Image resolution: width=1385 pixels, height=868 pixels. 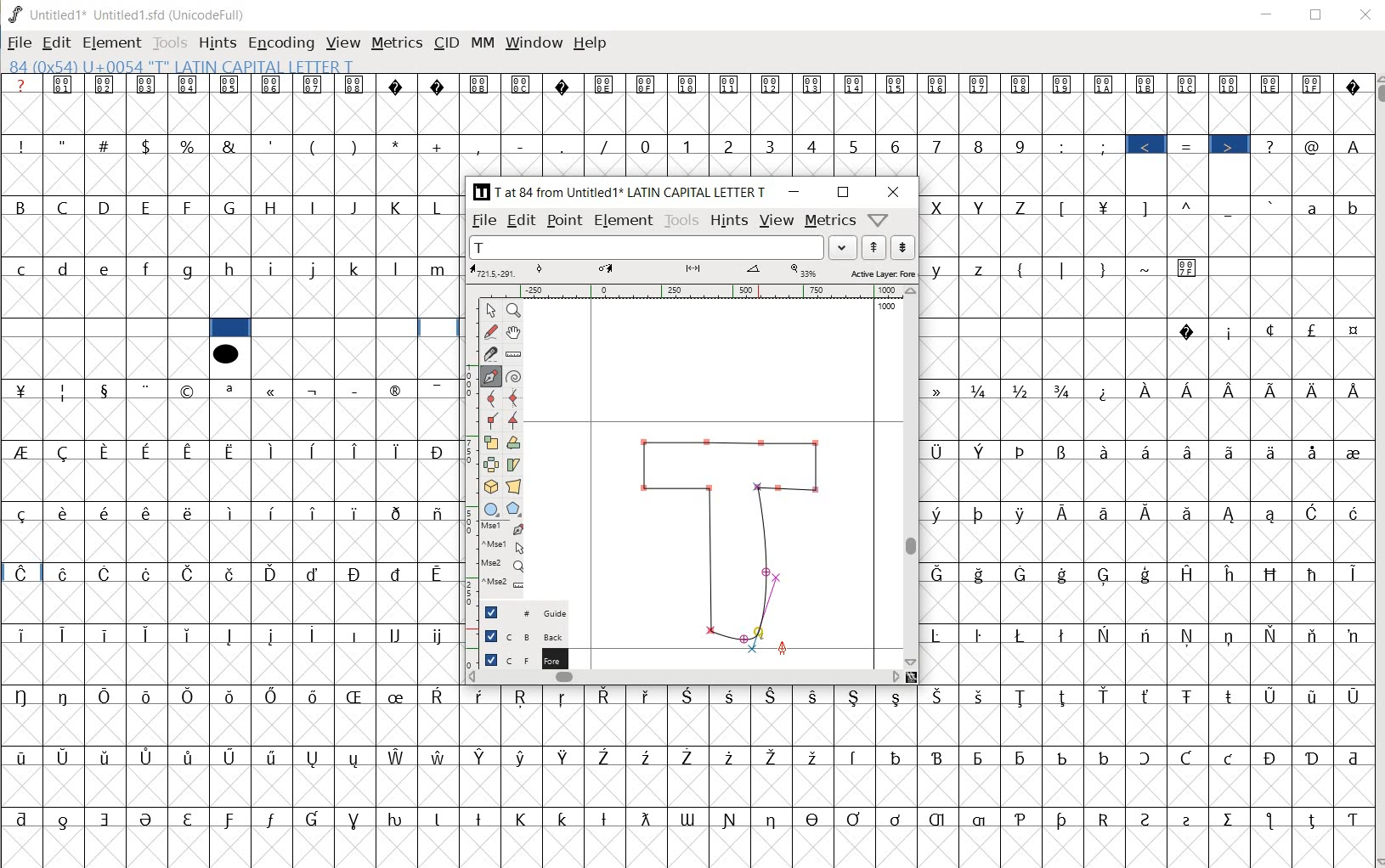 What do you see at coordinates (1274, 515) in the screenshot?
I see `Symbol` at bounding box center [1274, 515].